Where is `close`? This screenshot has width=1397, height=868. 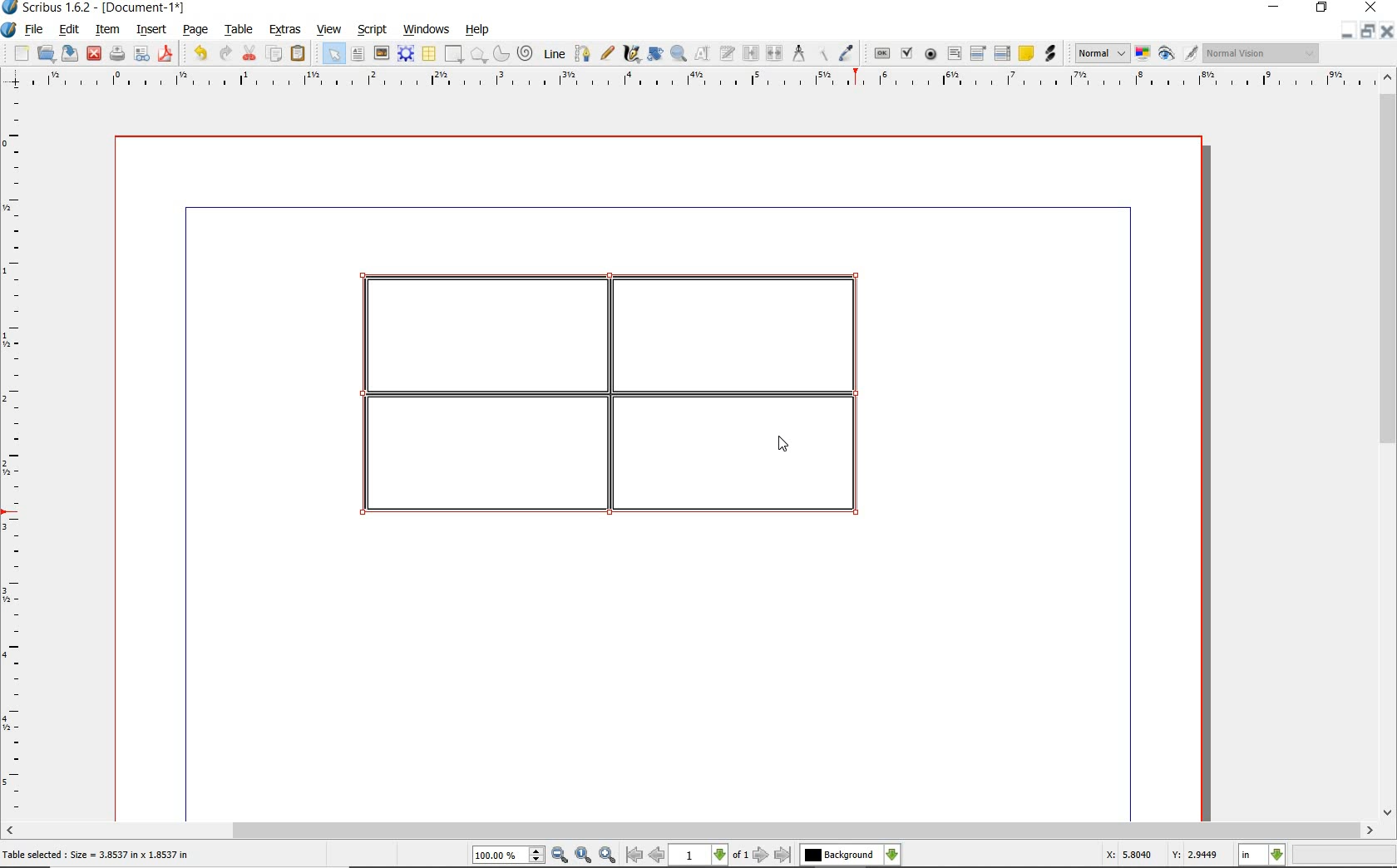 close is located at coordinates (1386, 32).